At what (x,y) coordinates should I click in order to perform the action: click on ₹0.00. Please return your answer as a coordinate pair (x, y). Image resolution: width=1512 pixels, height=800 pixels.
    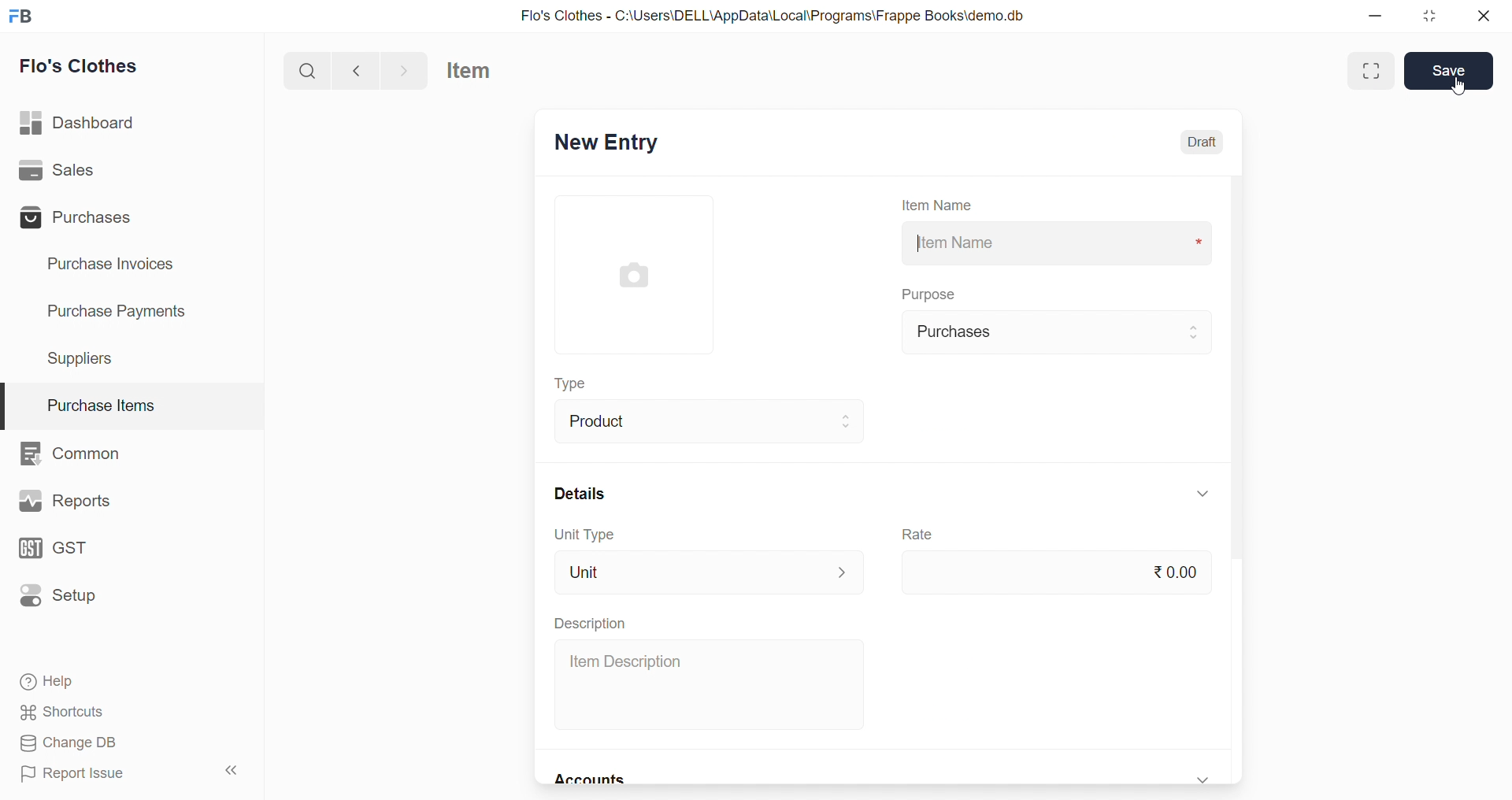
    Looking at the image, I should click on (1053, 572).